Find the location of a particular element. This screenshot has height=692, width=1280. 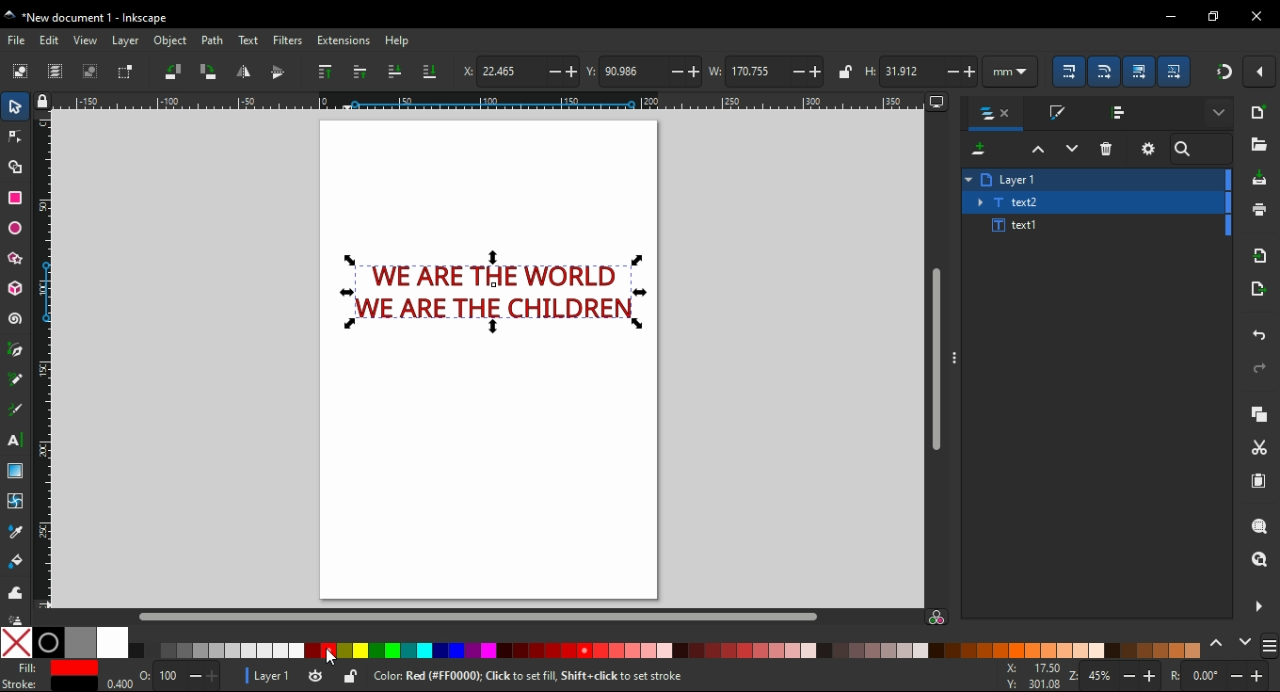

vertical ruler is located at coordinates (50, 363).